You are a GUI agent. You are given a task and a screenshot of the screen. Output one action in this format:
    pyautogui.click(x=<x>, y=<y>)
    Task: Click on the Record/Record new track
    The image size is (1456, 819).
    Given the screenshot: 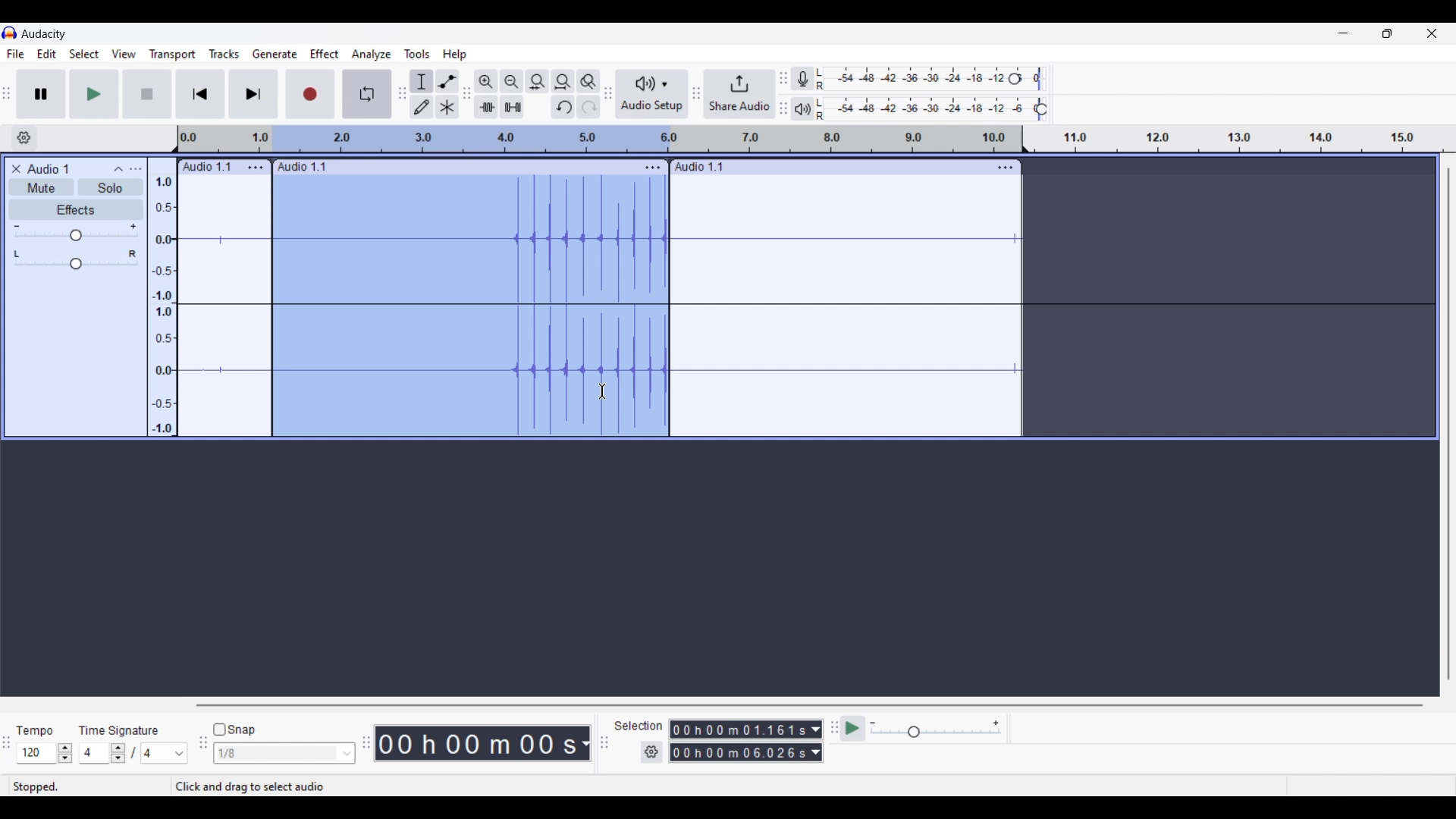 What is the action you would take?
    pyautogui.click(x=311, y=93)
    